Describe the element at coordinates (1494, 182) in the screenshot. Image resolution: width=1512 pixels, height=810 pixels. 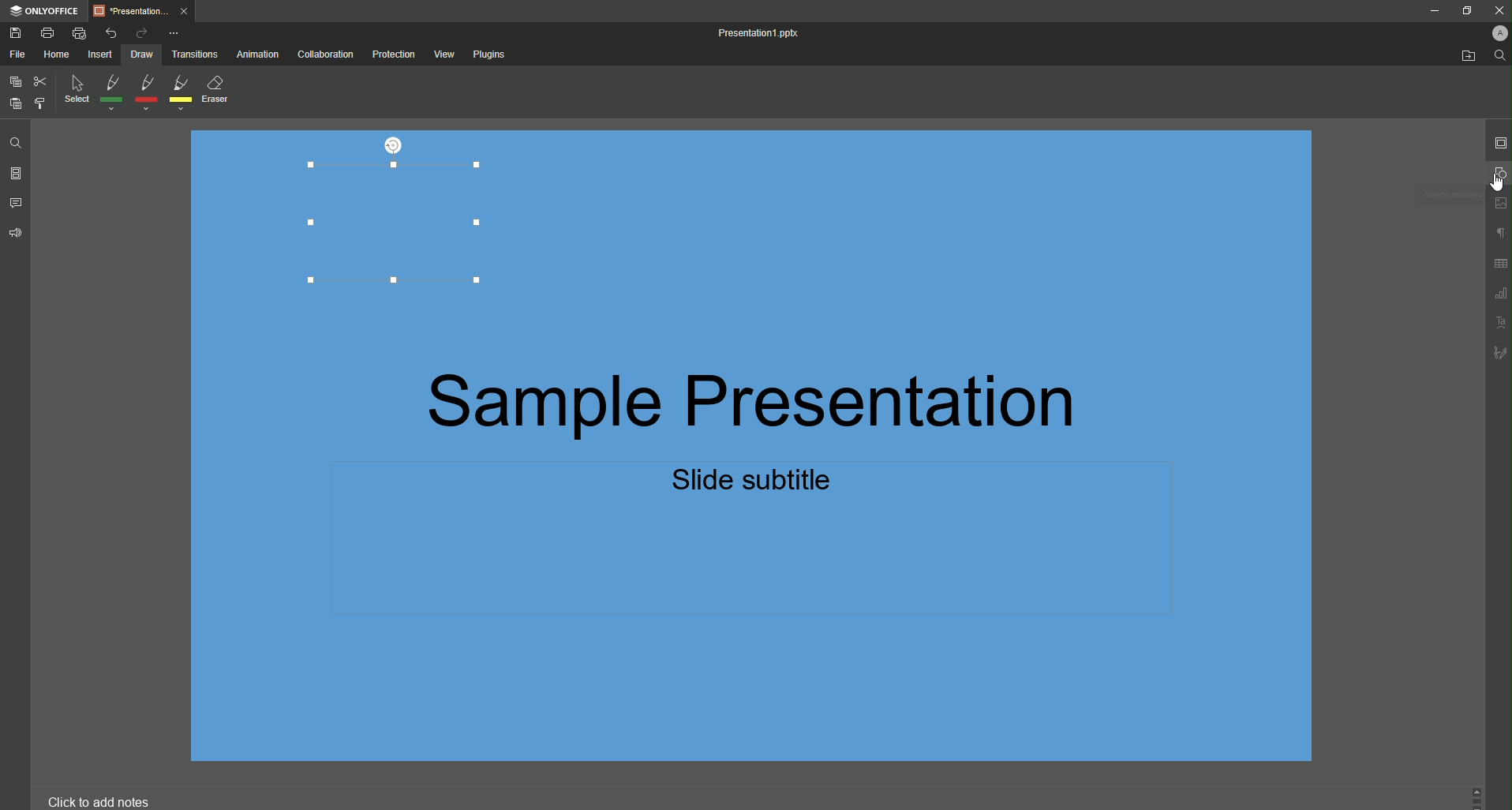
I see `Cursor` at that location.